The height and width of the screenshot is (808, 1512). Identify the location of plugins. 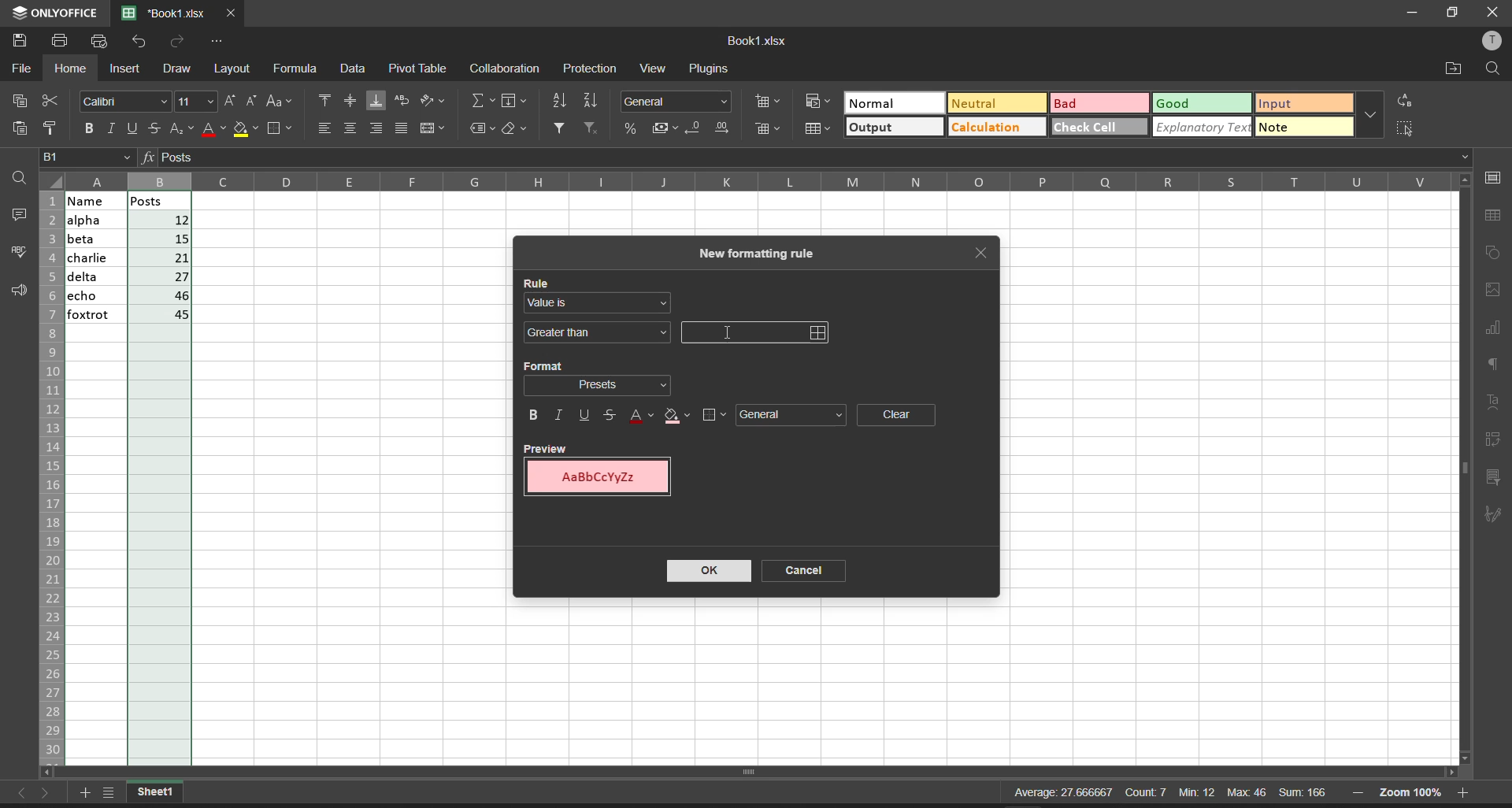
(710, 69).